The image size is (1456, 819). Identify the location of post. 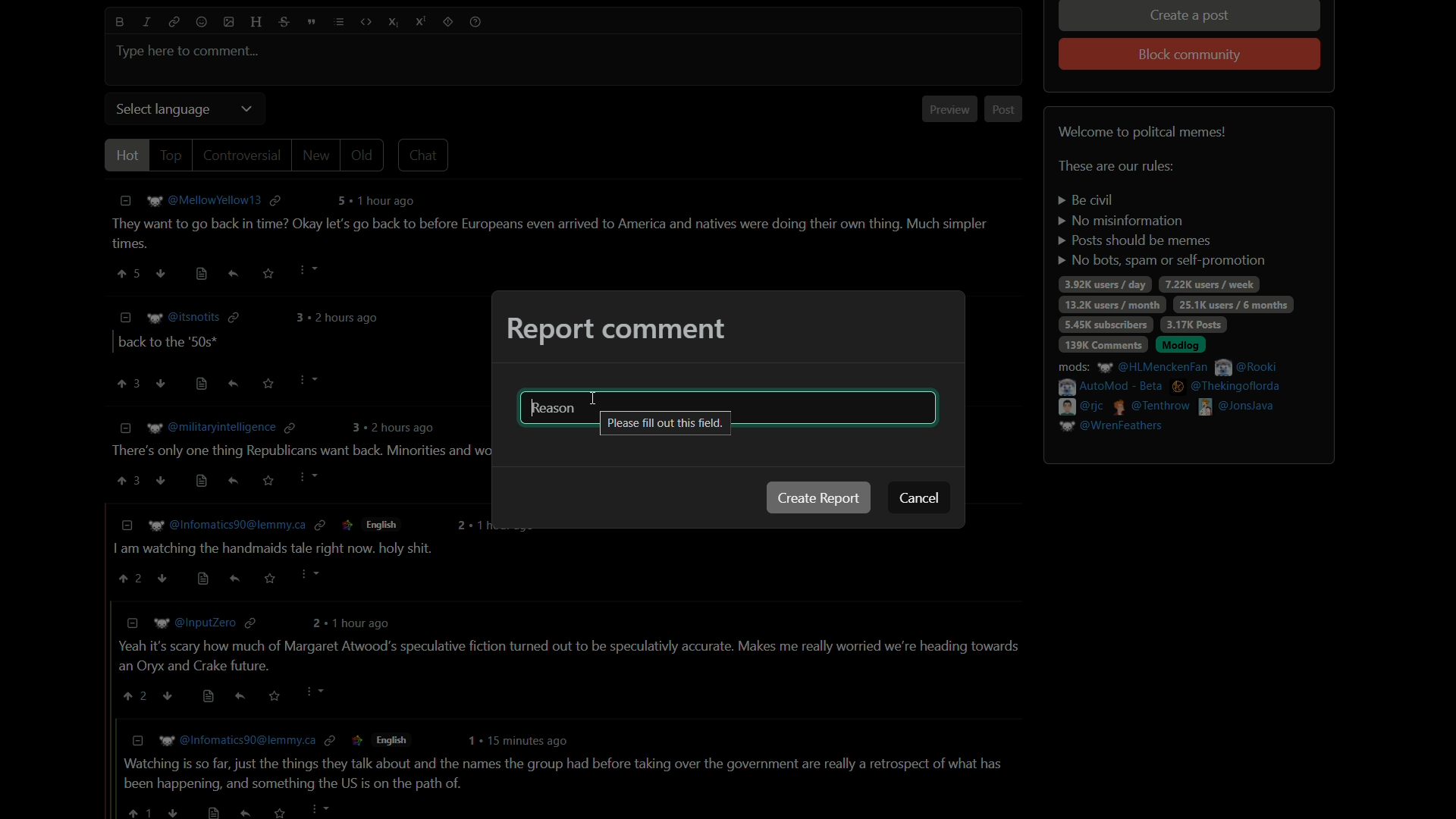
(1005, 110).